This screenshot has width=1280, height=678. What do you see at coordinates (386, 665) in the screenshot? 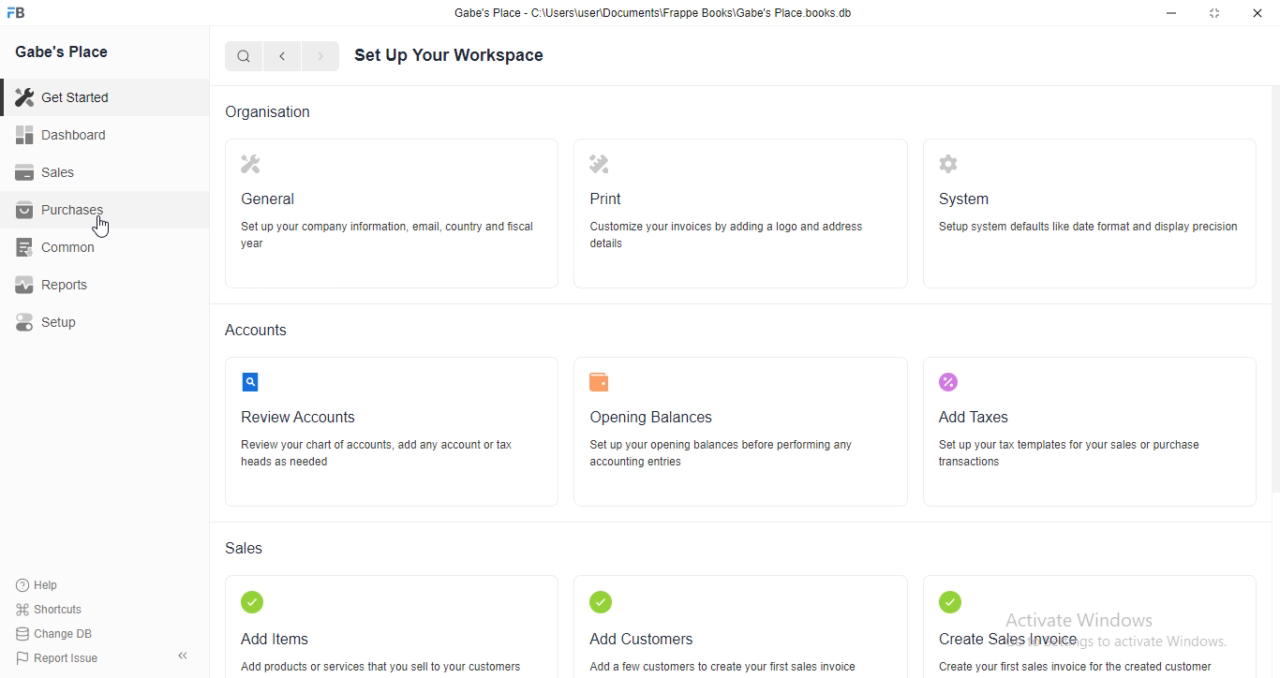
I see `Add products or services that you sell to your customers` at bounding box center [386, 665].